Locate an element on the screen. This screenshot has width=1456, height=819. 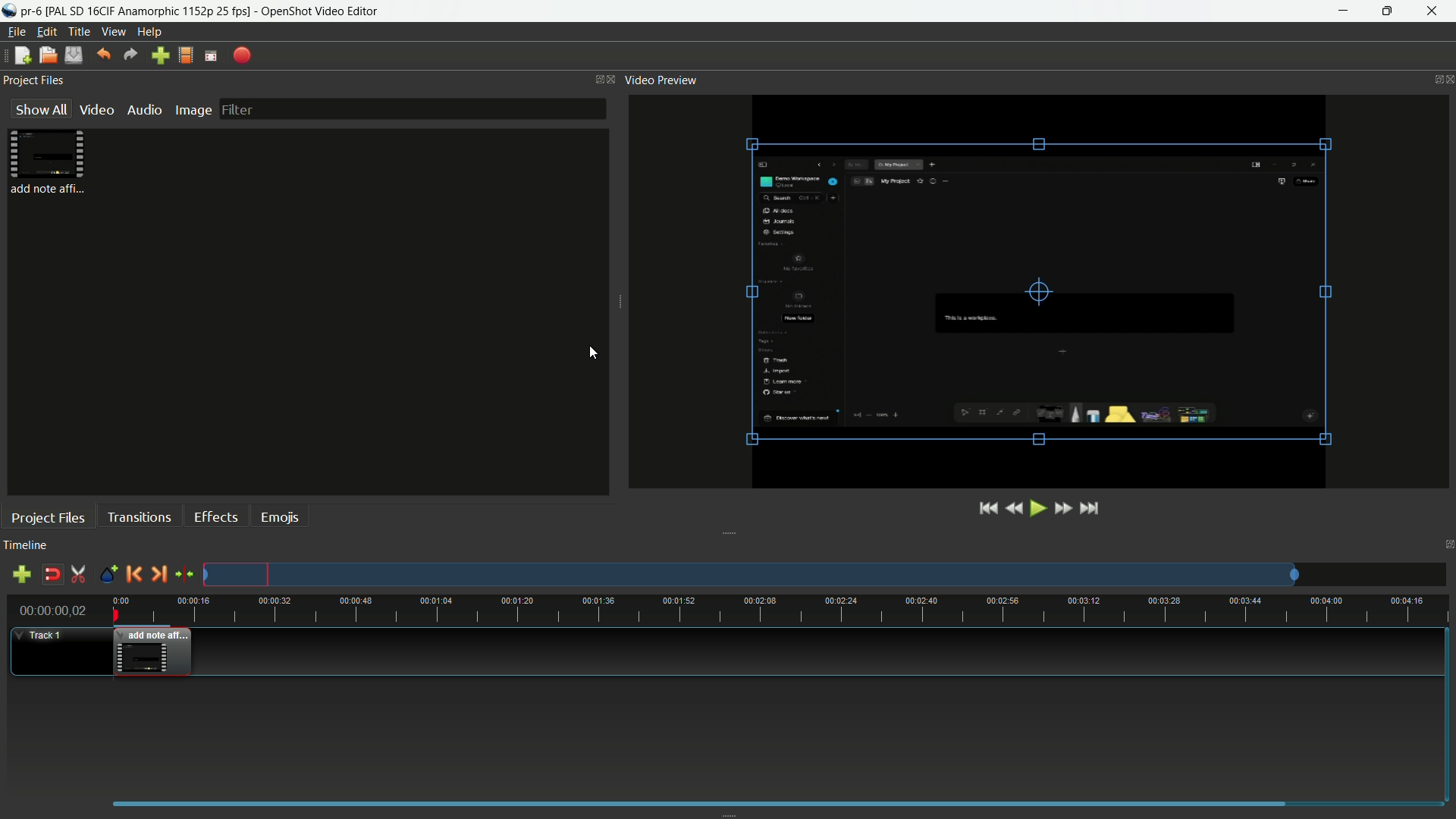
previous marker is located at coordinates (133, 574).